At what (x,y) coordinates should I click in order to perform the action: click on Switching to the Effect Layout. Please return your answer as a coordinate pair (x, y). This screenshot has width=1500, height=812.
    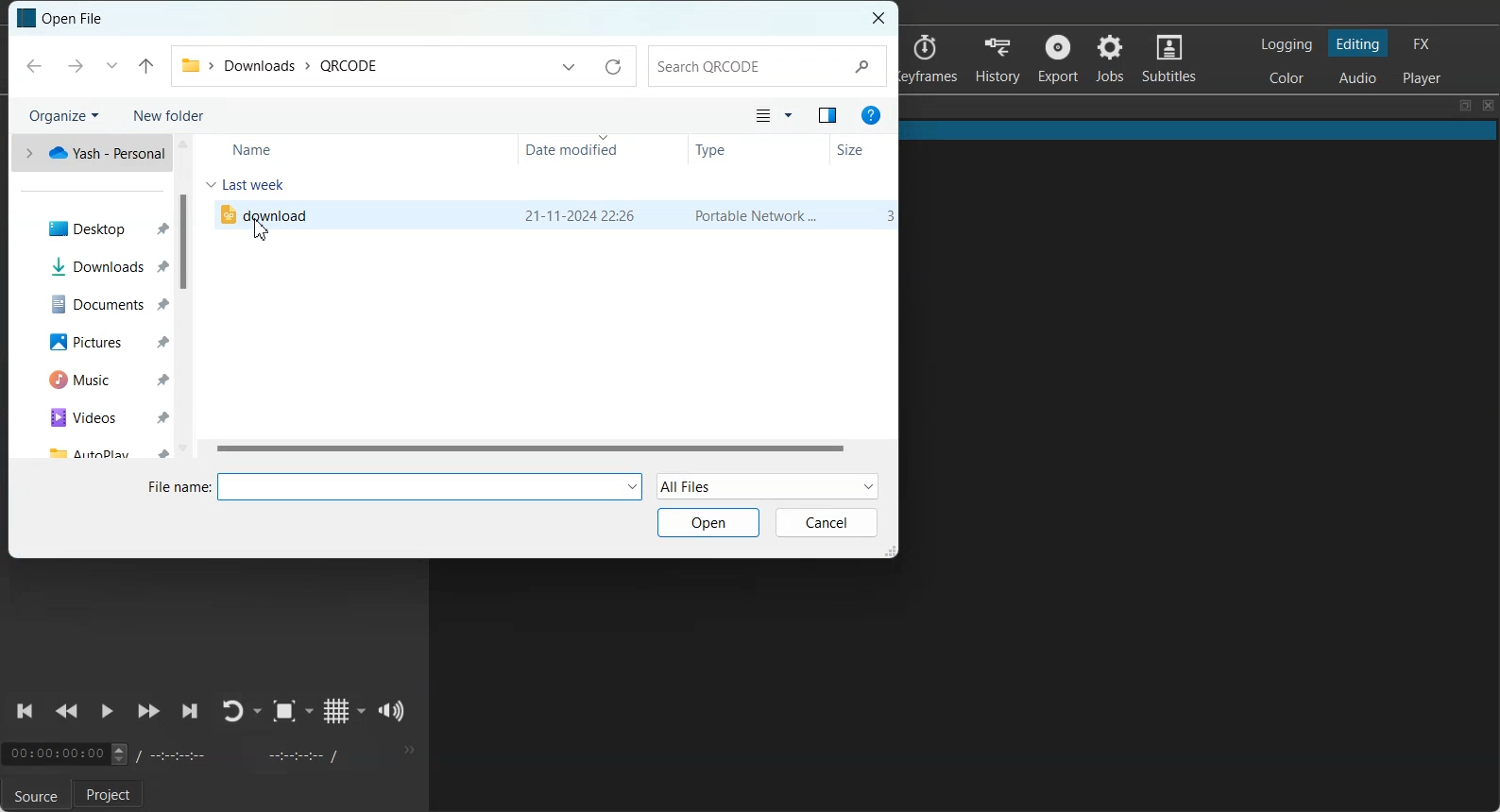
    Looking at the image, I should click on (1421, 42).